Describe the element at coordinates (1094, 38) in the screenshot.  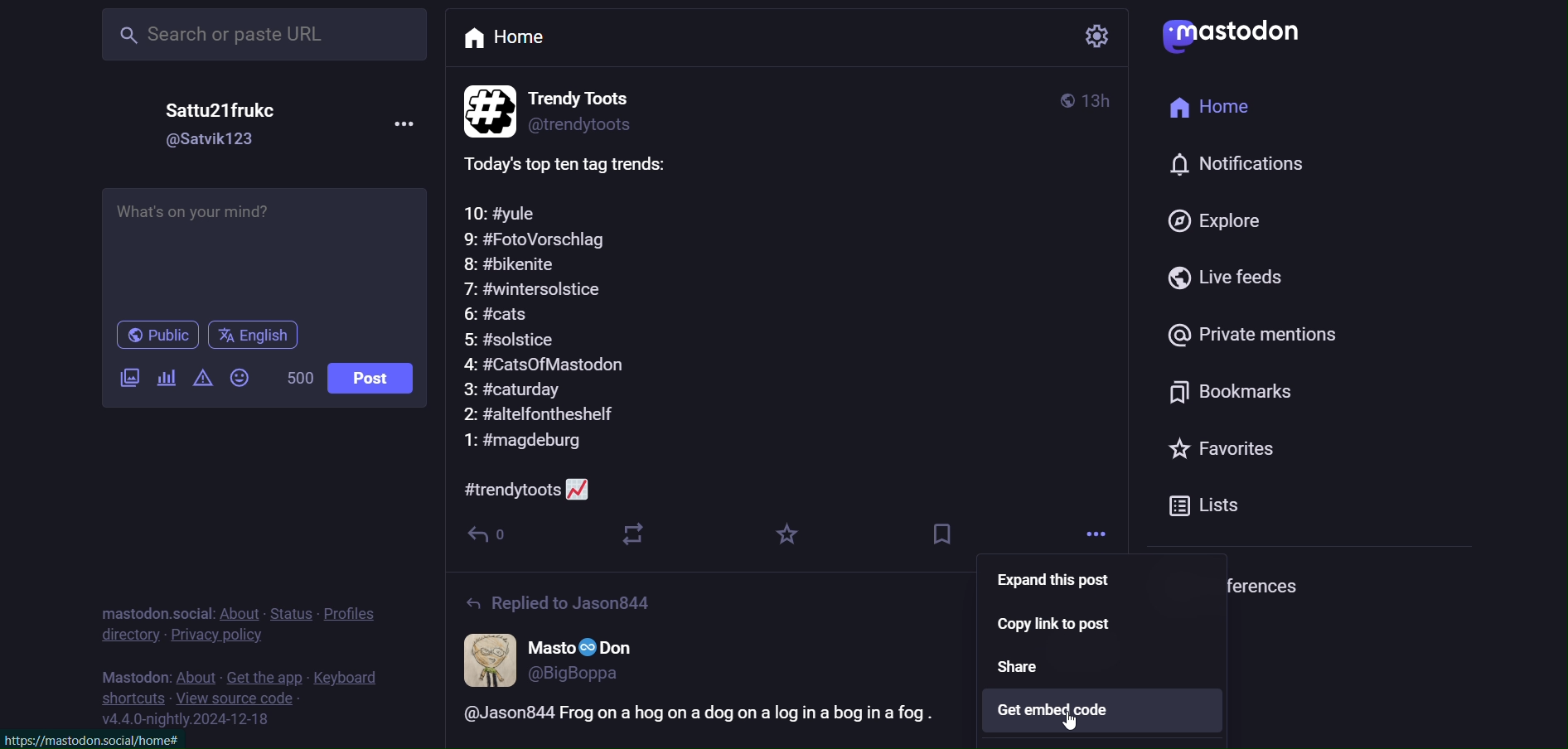
I see `setting` at that location.